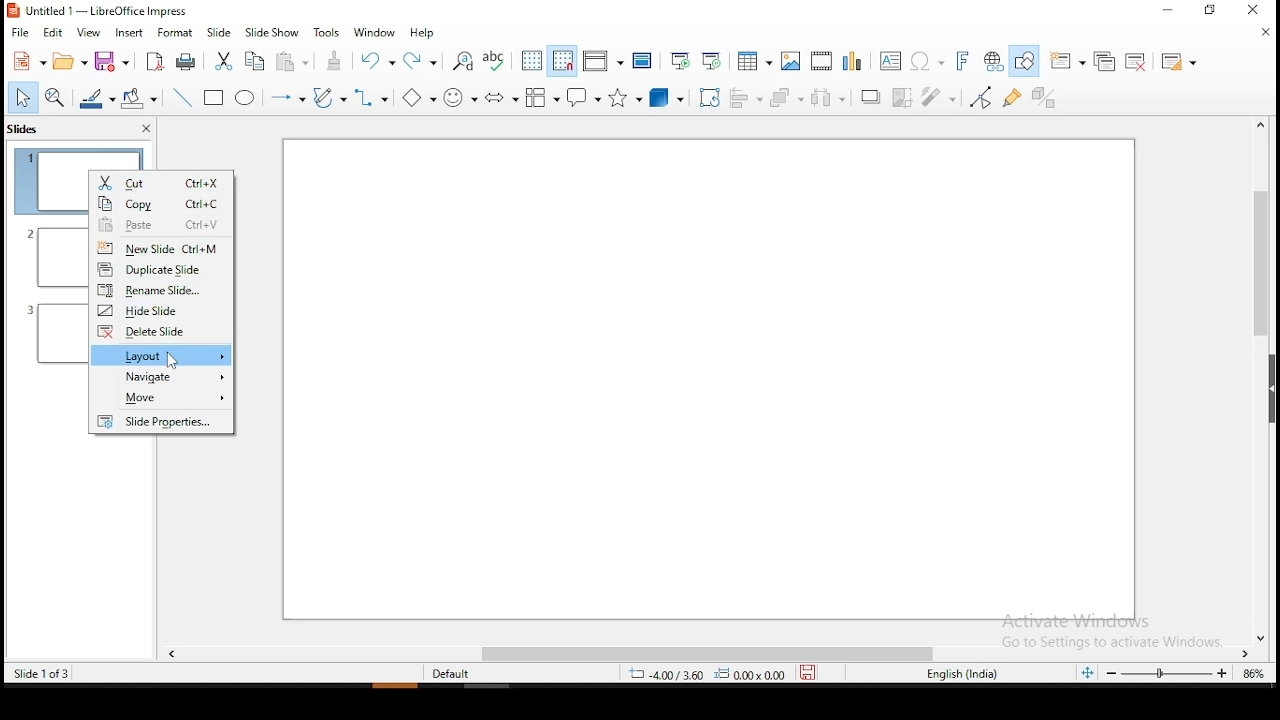  What do you see at coordinates (1252, 673) in the screenshot?
I see `zoom level` at bounding box center [1252, 673].